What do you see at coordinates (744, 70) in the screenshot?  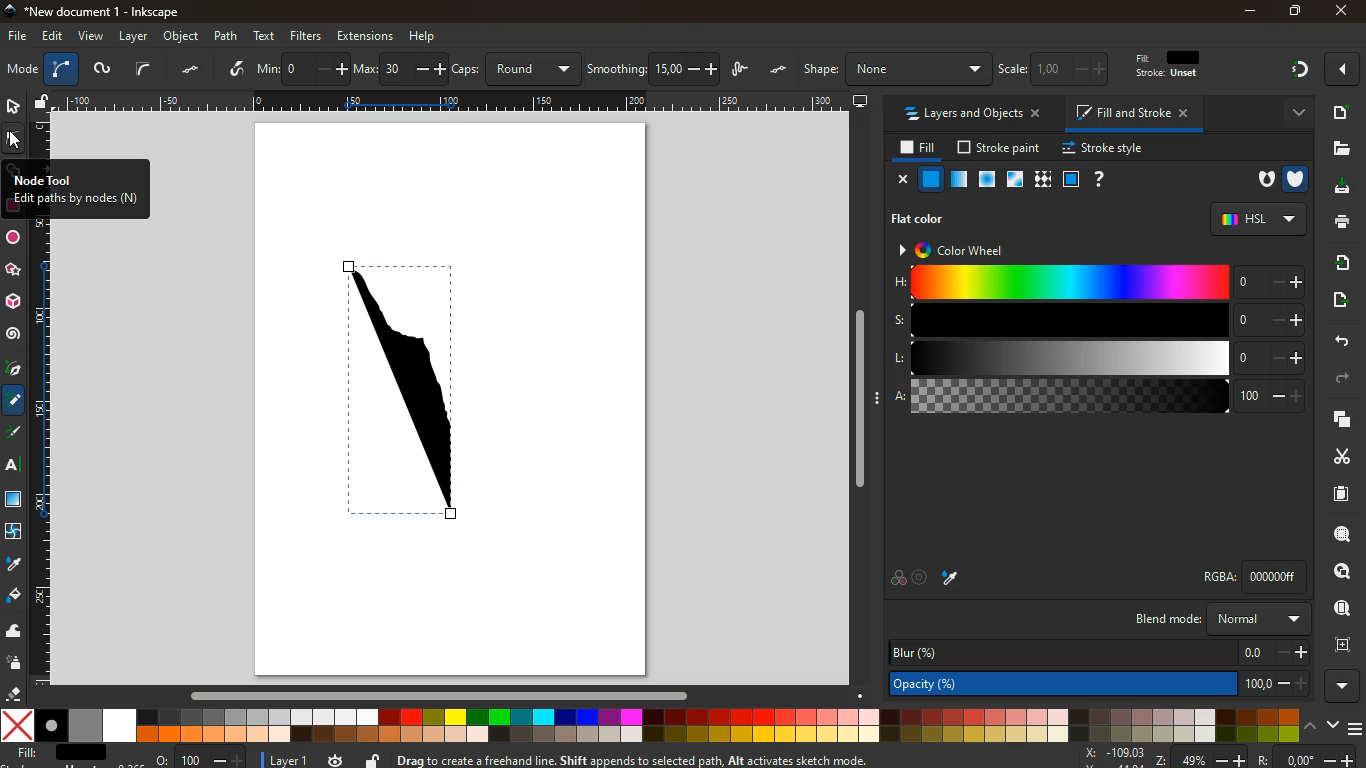 I see `lpe` at bounding box center [744, 70].